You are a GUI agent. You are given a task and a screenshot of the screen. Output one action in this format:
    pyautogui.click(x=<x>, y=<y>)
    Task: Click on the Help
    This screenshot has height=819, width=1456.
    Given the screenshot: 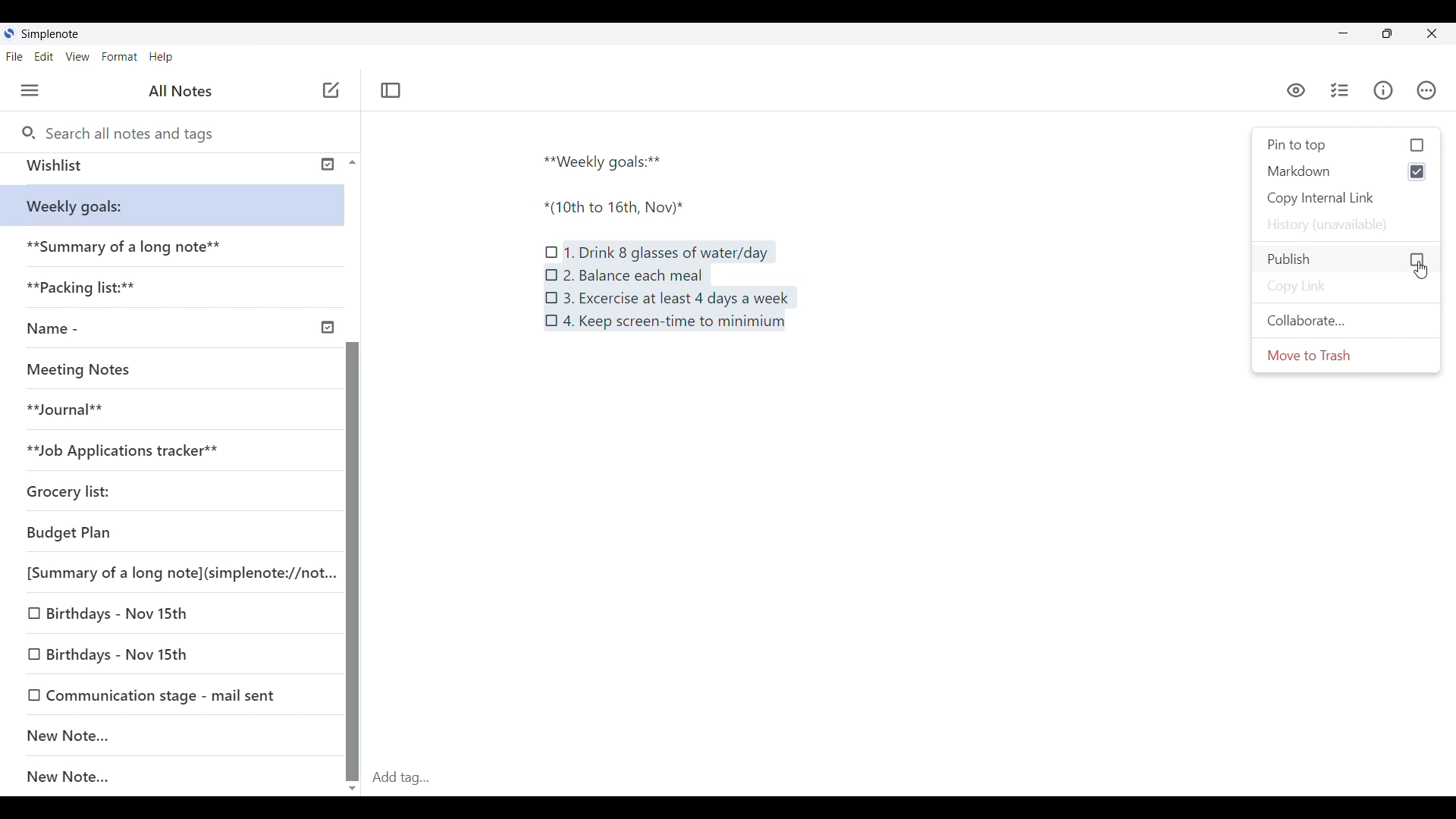 What is the action you would take?
    pyautogui.click(x=162, y=58)
    